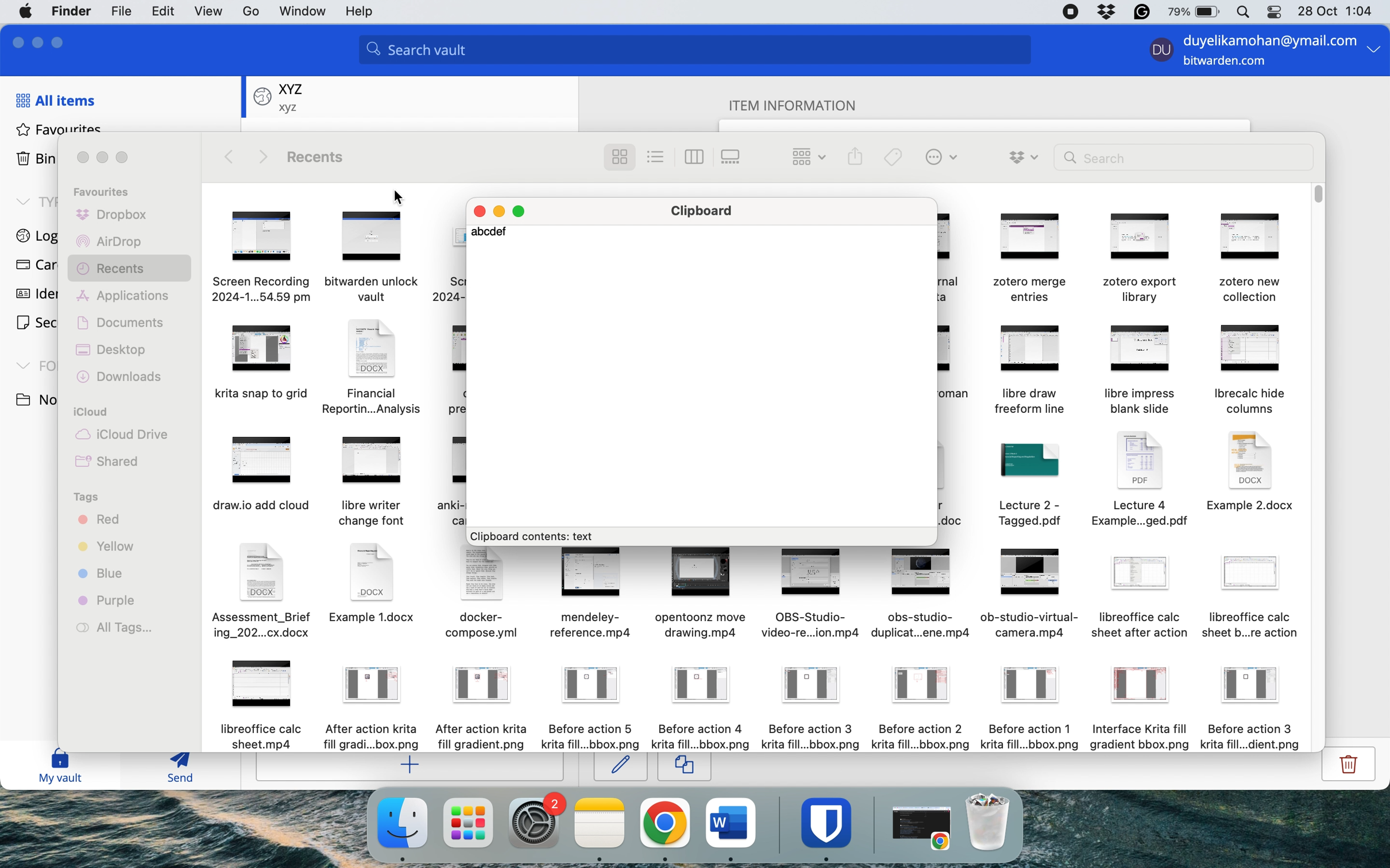  What do you see at coordinates (117, 350) in the screenshot?
I see `desktop` at bounding box center [117, 350].